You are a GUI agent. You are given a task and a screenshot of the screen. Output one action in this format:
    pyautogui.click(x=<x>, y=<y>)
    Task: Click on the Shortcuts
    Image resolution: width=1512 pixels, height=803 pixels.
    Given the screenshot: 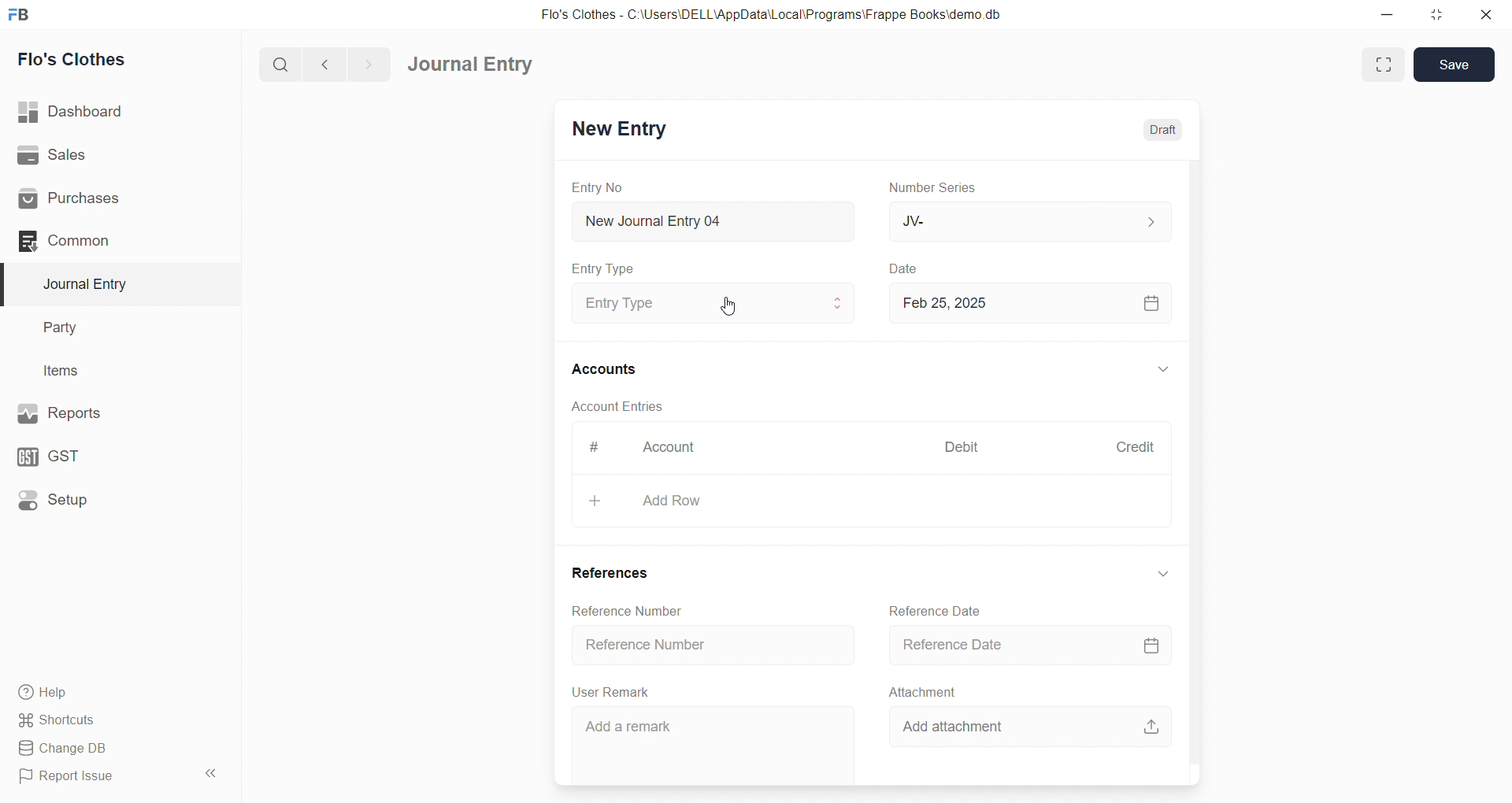 What is the action you would take?
    pyautogui.click(x=115, y=719)
    